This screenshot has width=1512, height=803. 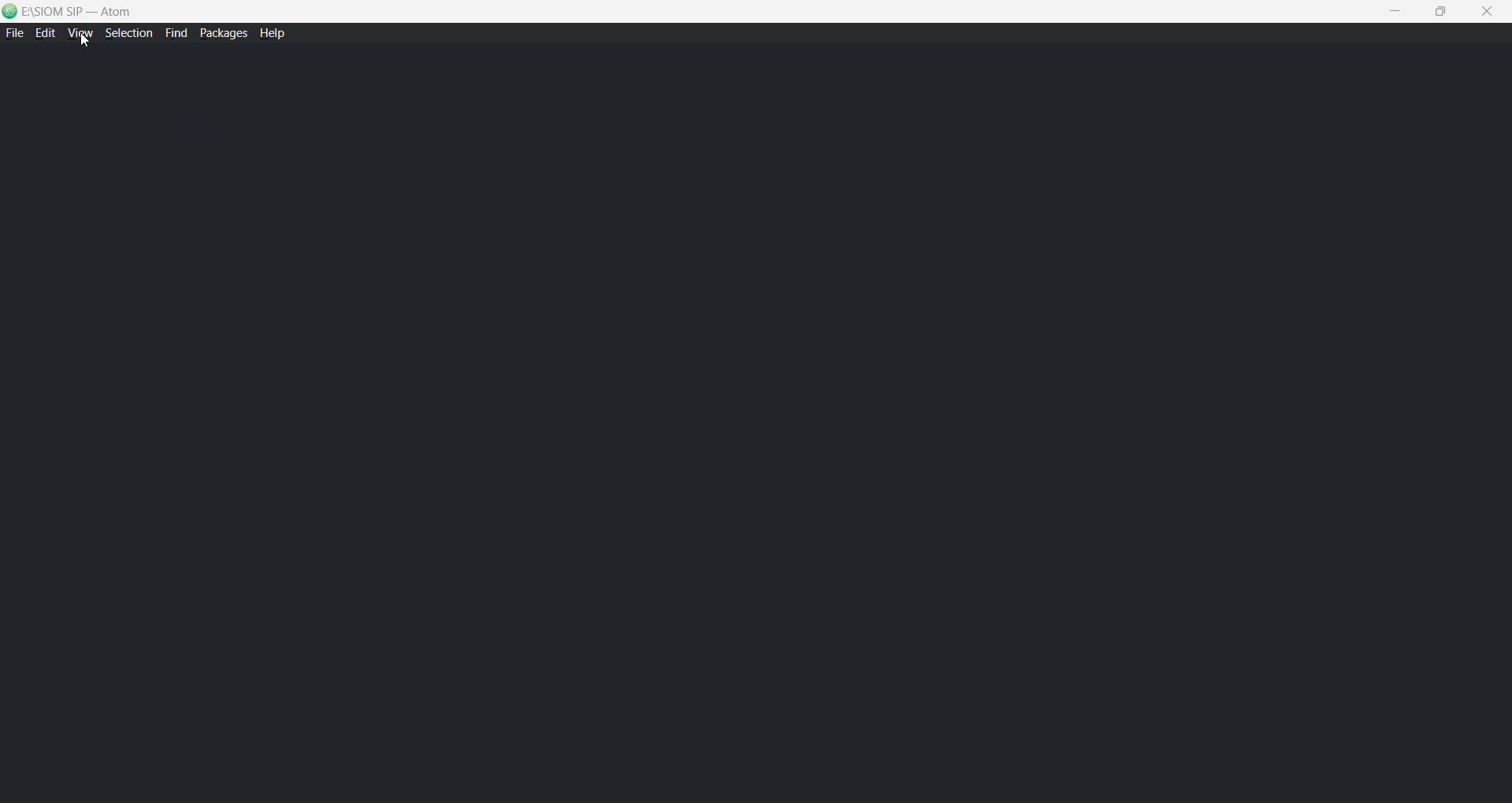 I want to click on close, so click(x=1491, y=12).